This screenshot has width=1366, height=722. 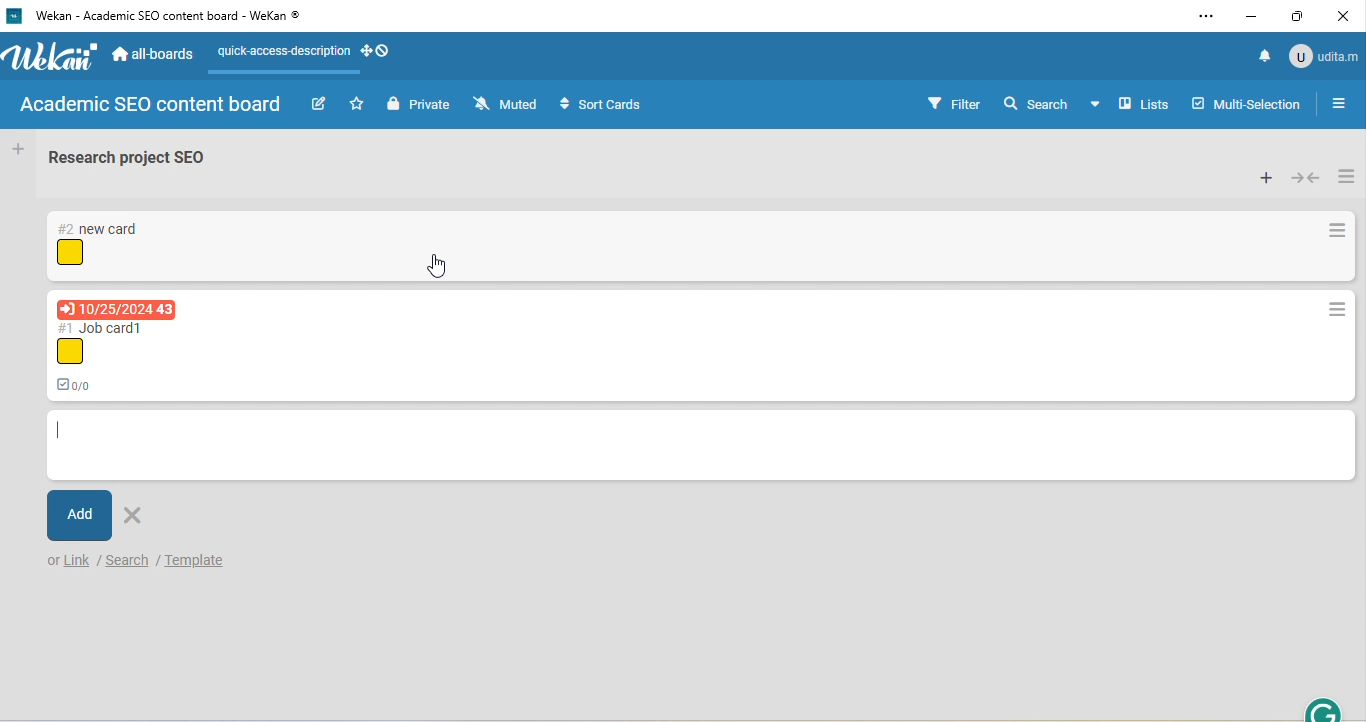 What do you see at coordinates (281, 51) in the screenshot?
I see `quick access description` at bounding box center [281, 51].